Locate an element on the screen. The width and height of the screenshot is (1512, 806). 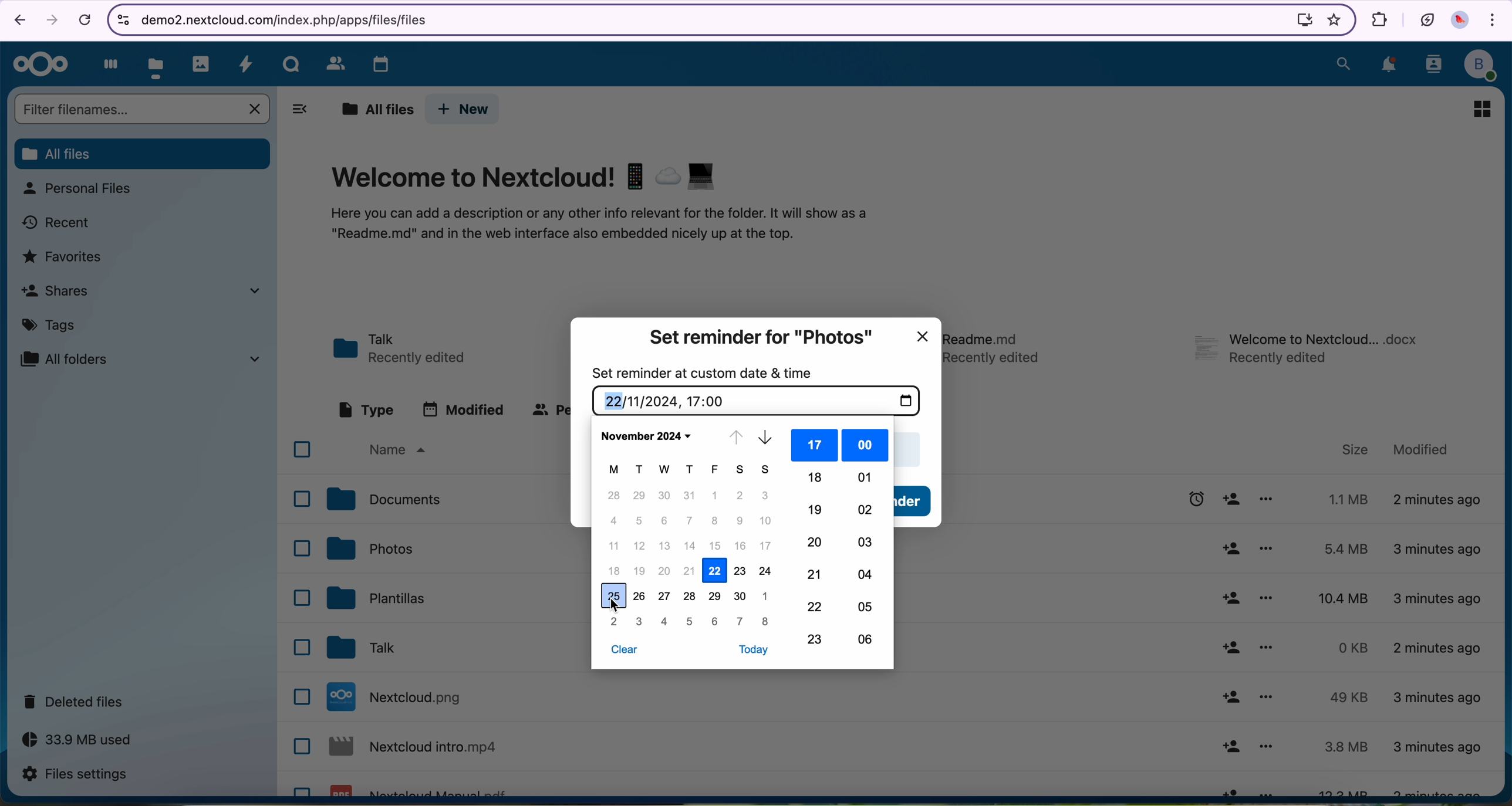
06 is located at coordinates (866, 642).